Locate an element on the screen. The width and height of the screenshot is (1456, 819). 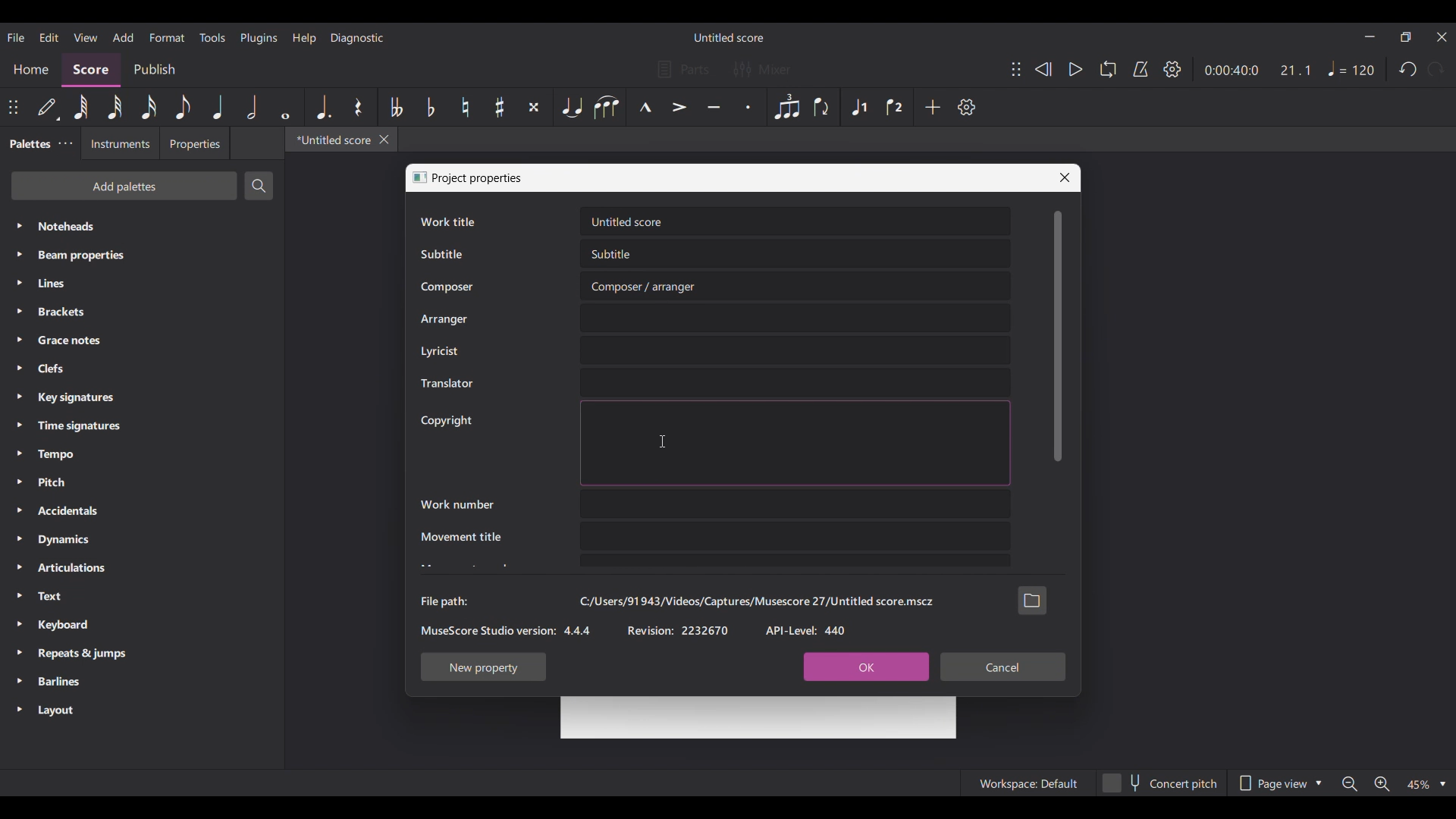
Instruments is located at coordinates (120, 143).